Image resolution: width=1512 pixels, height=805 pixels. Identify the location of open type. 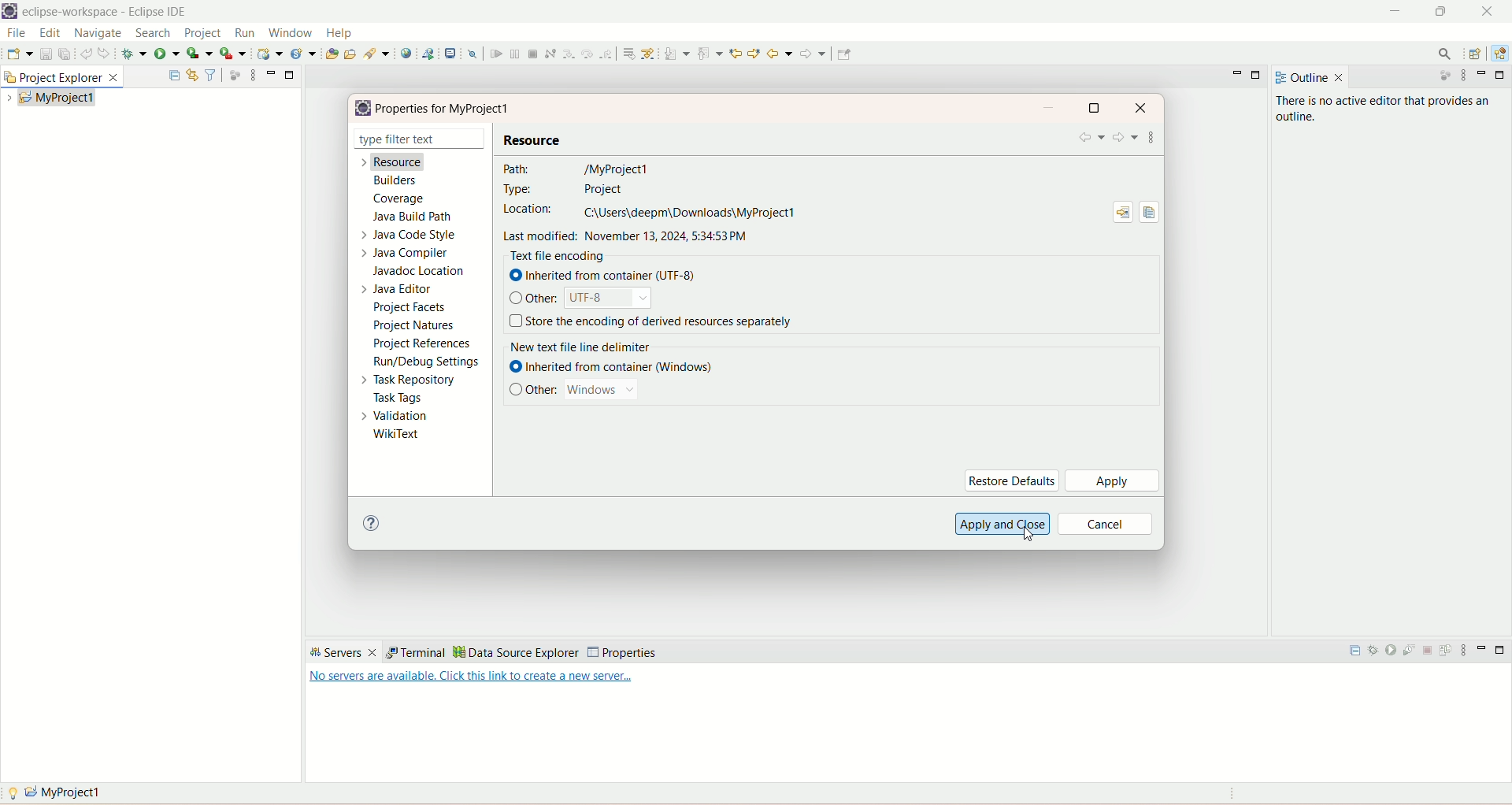
(329, 54).